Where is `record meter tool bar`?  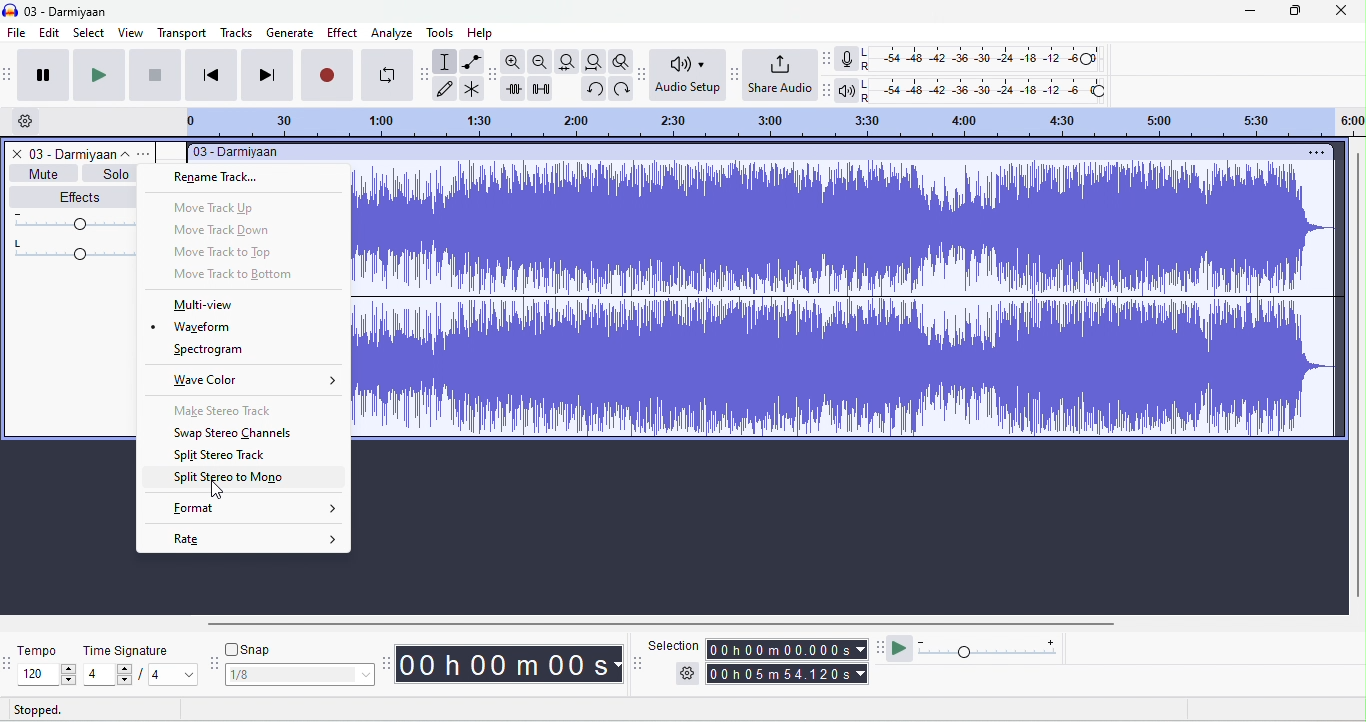 record meter tool bar is located at coordinates (828, 58).